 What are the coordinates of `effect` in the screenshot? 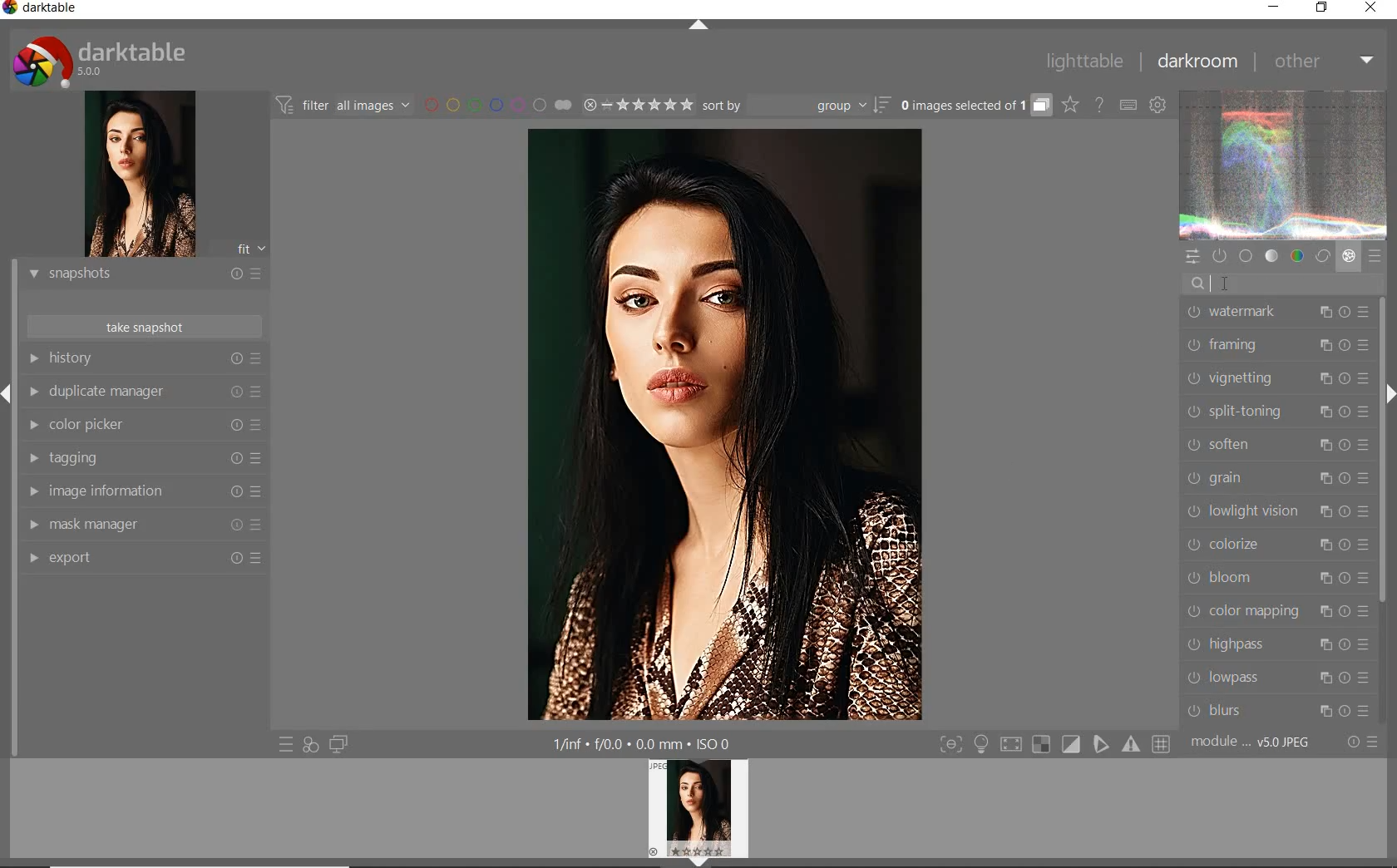 It's located at (1348, 257).